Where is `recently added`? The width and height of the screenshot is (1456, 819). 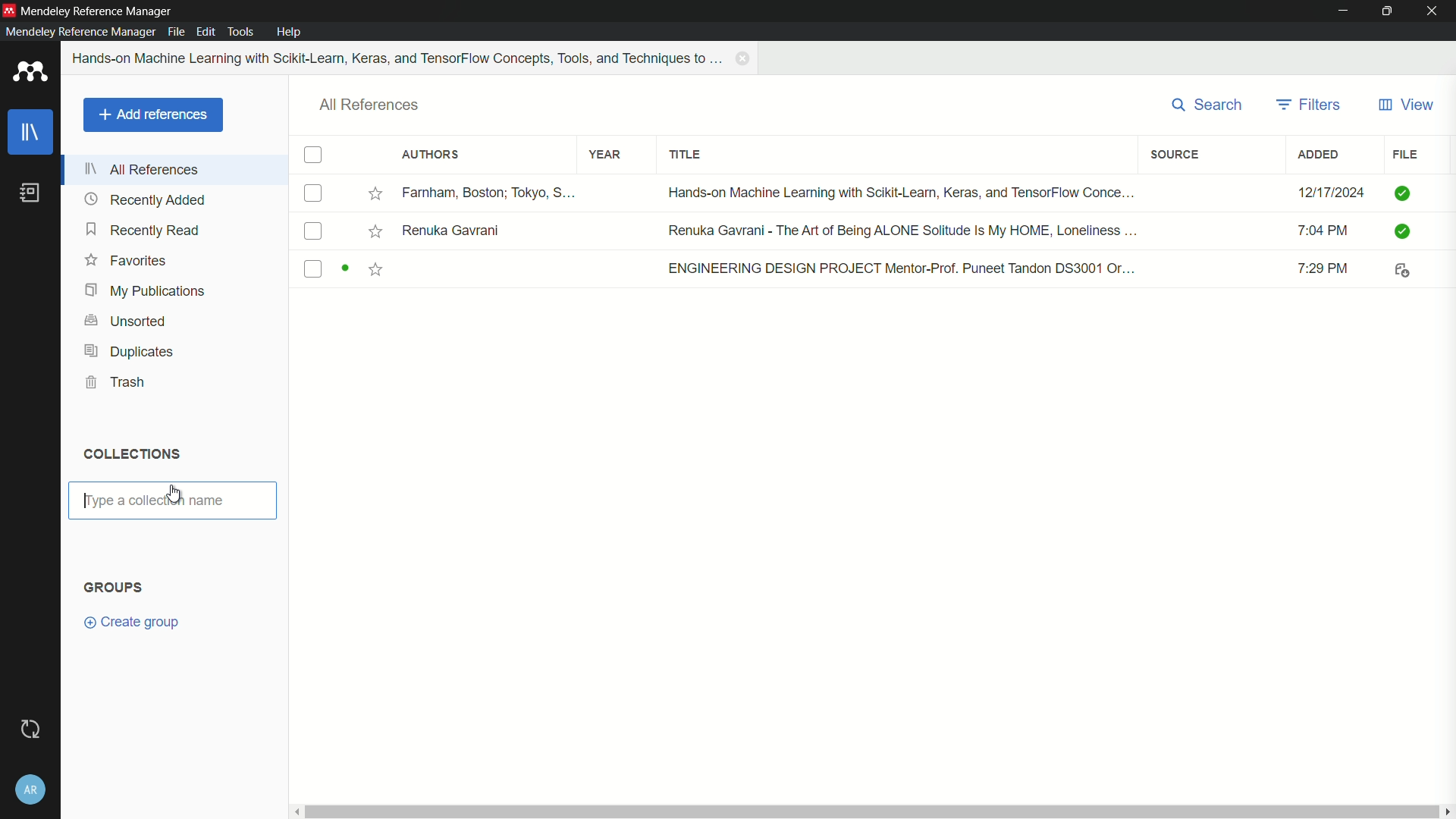 recently added is located at coordinates (145, 199).